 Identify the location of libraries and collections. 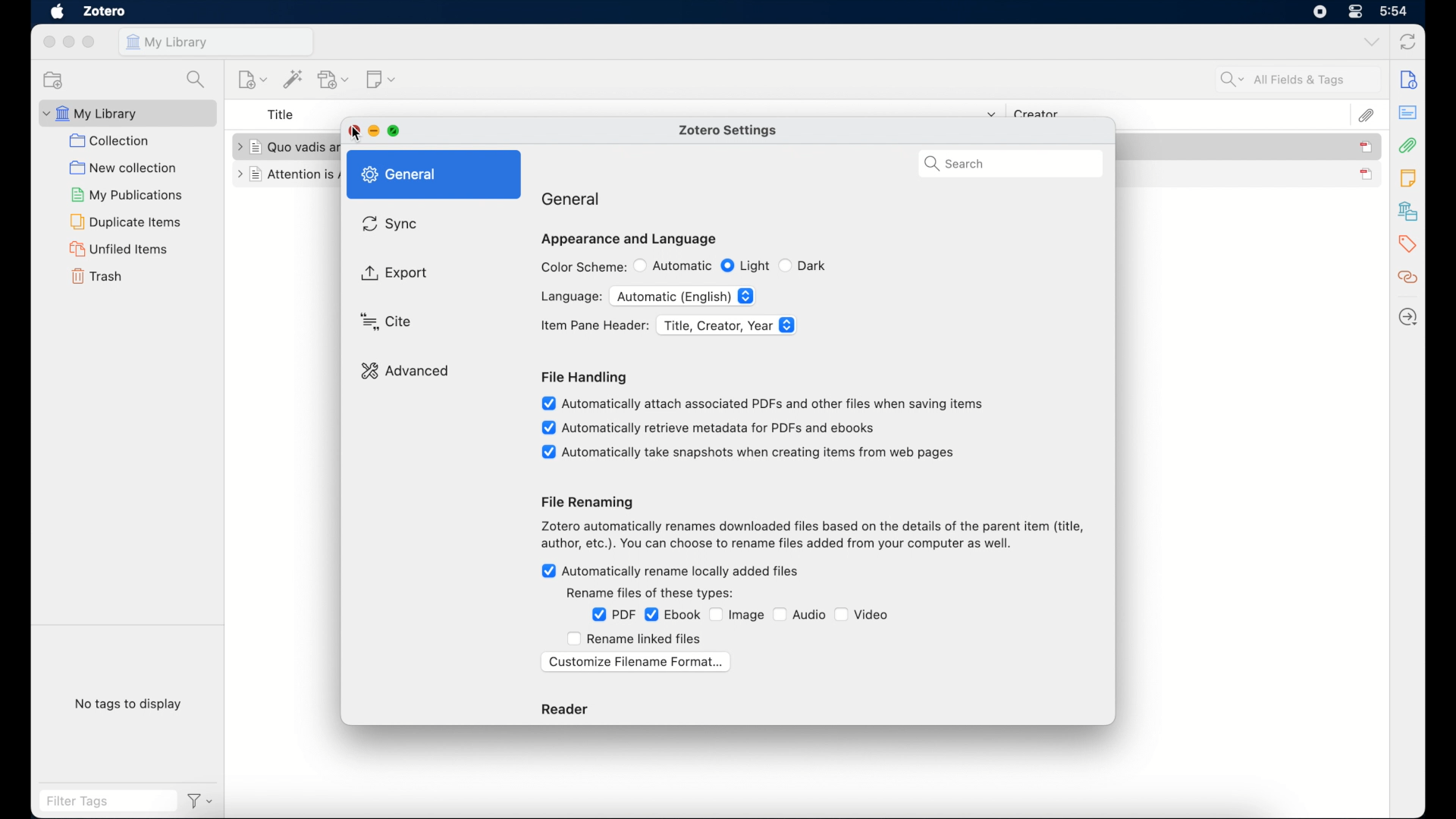
(1410, 211).